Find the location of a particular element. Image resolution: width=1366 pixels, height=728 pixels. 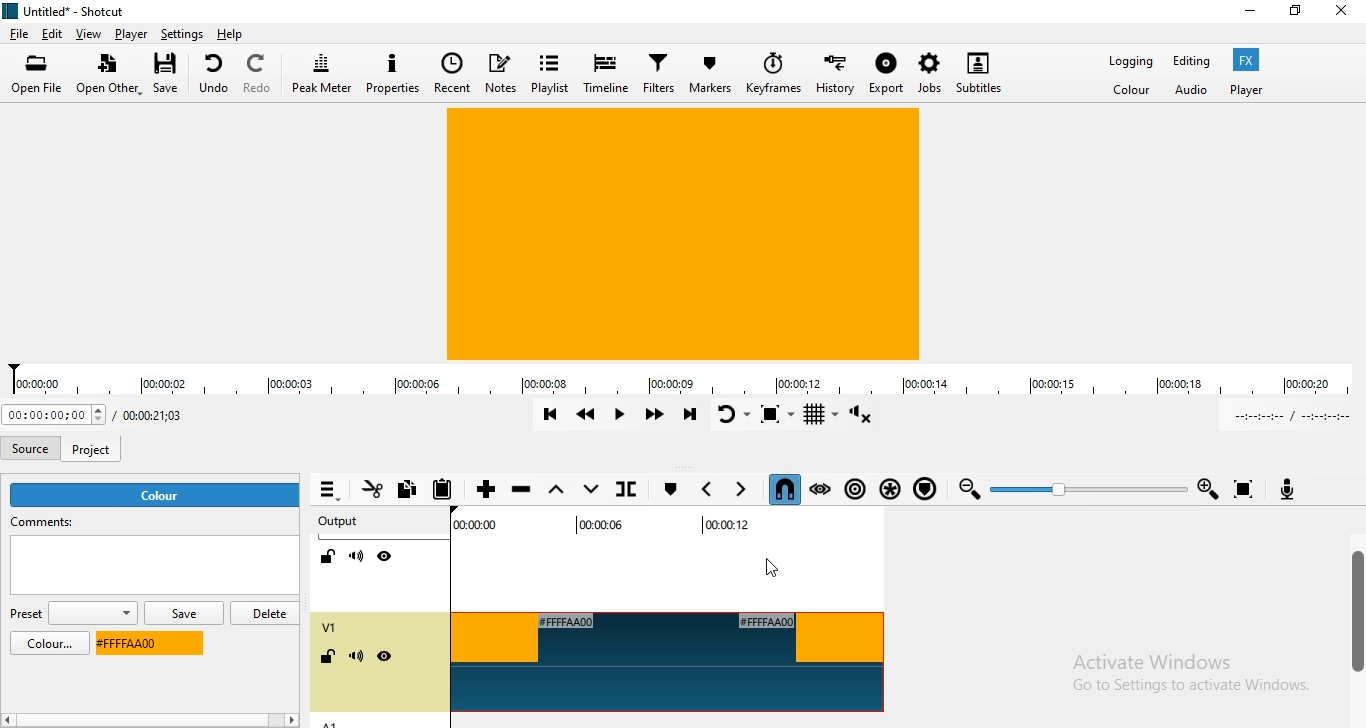

Play quickly backwards is located at coordinates (585, 414).